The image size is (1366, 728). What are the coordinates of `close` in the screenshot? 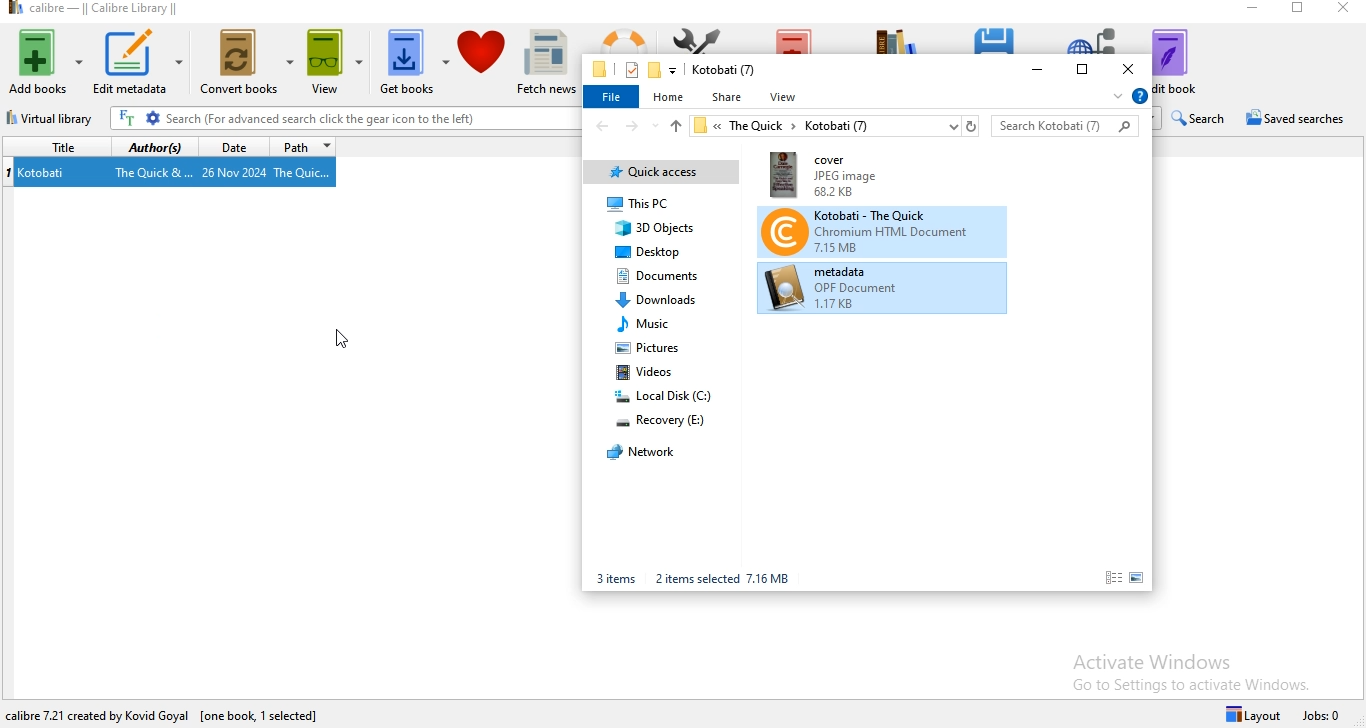 It's located at (1127, 70).